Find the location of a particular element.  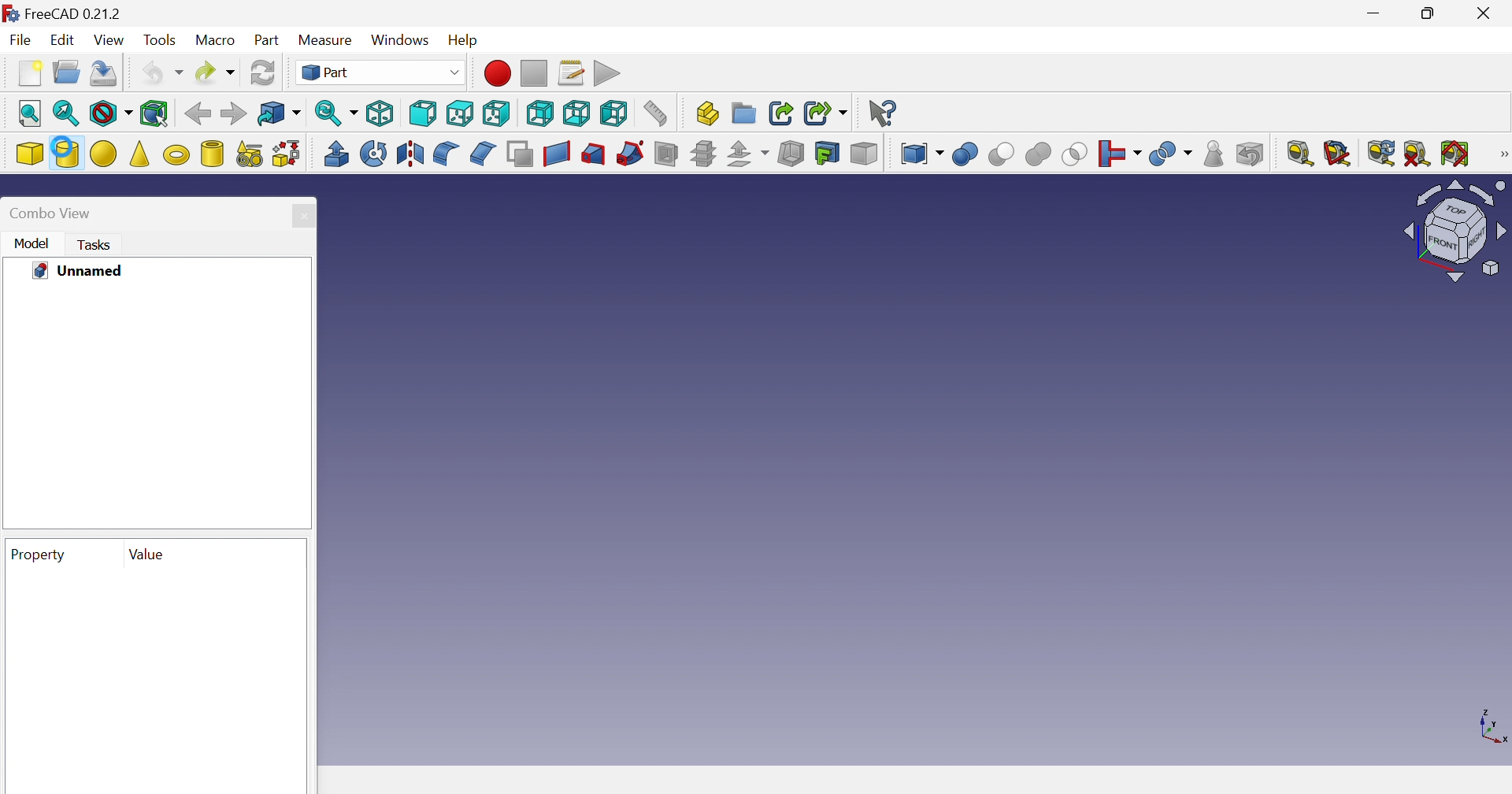

Save is located at coordinates (103, 72).